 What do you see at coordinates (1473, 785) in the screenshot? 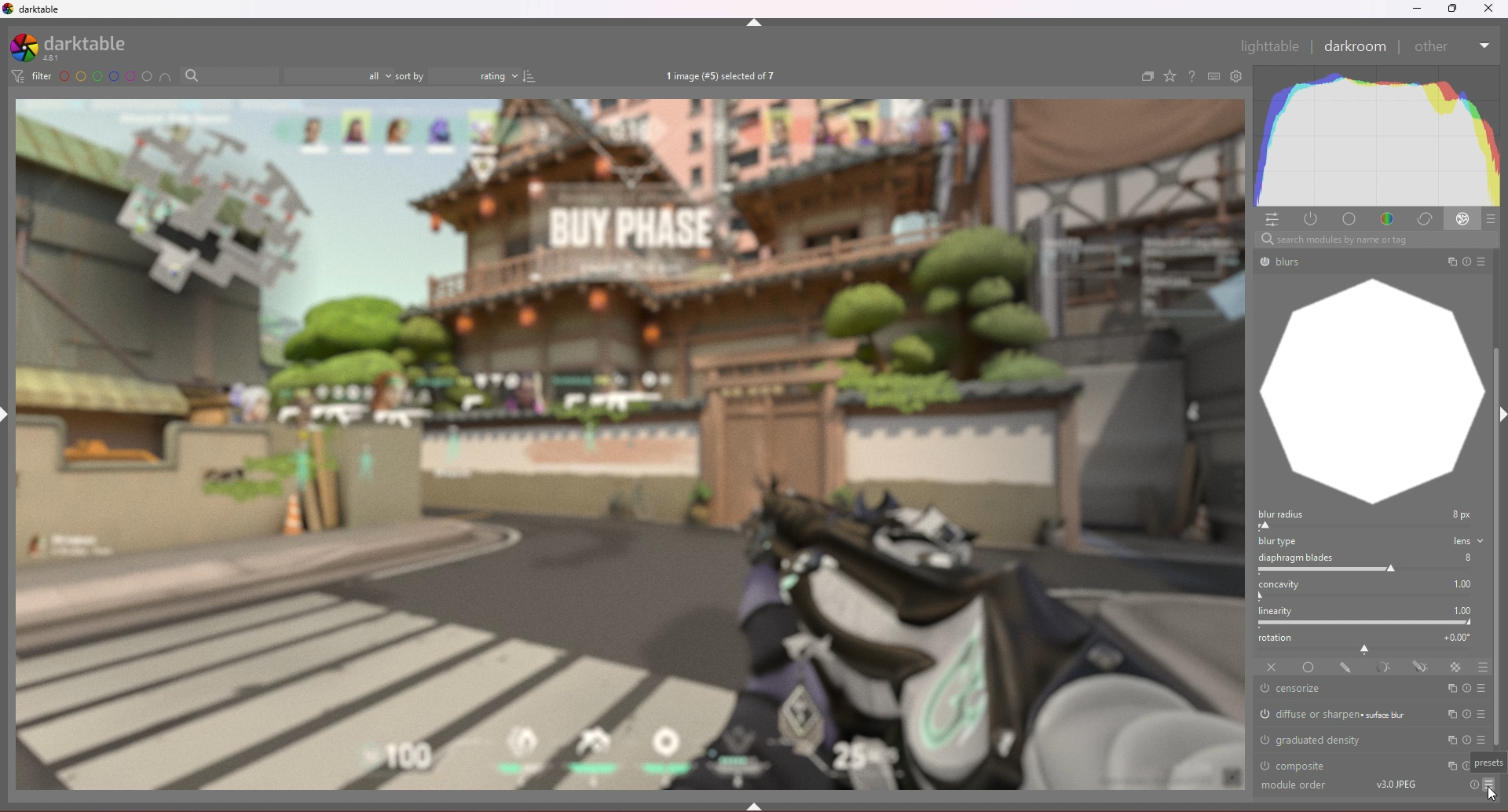
I see `` at bounding box center [1473, 785].